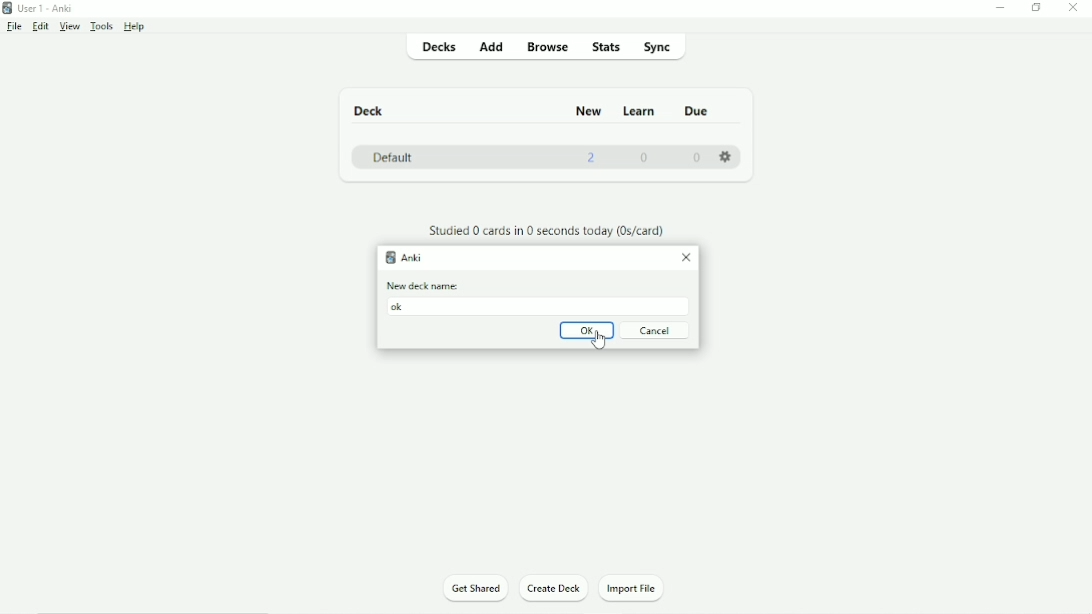 Image resolution: width=1092 pixels, height=614 pixels. Describe the element at coordinates (475, 587) in the screenshot. I see `Get Shared` at that location.